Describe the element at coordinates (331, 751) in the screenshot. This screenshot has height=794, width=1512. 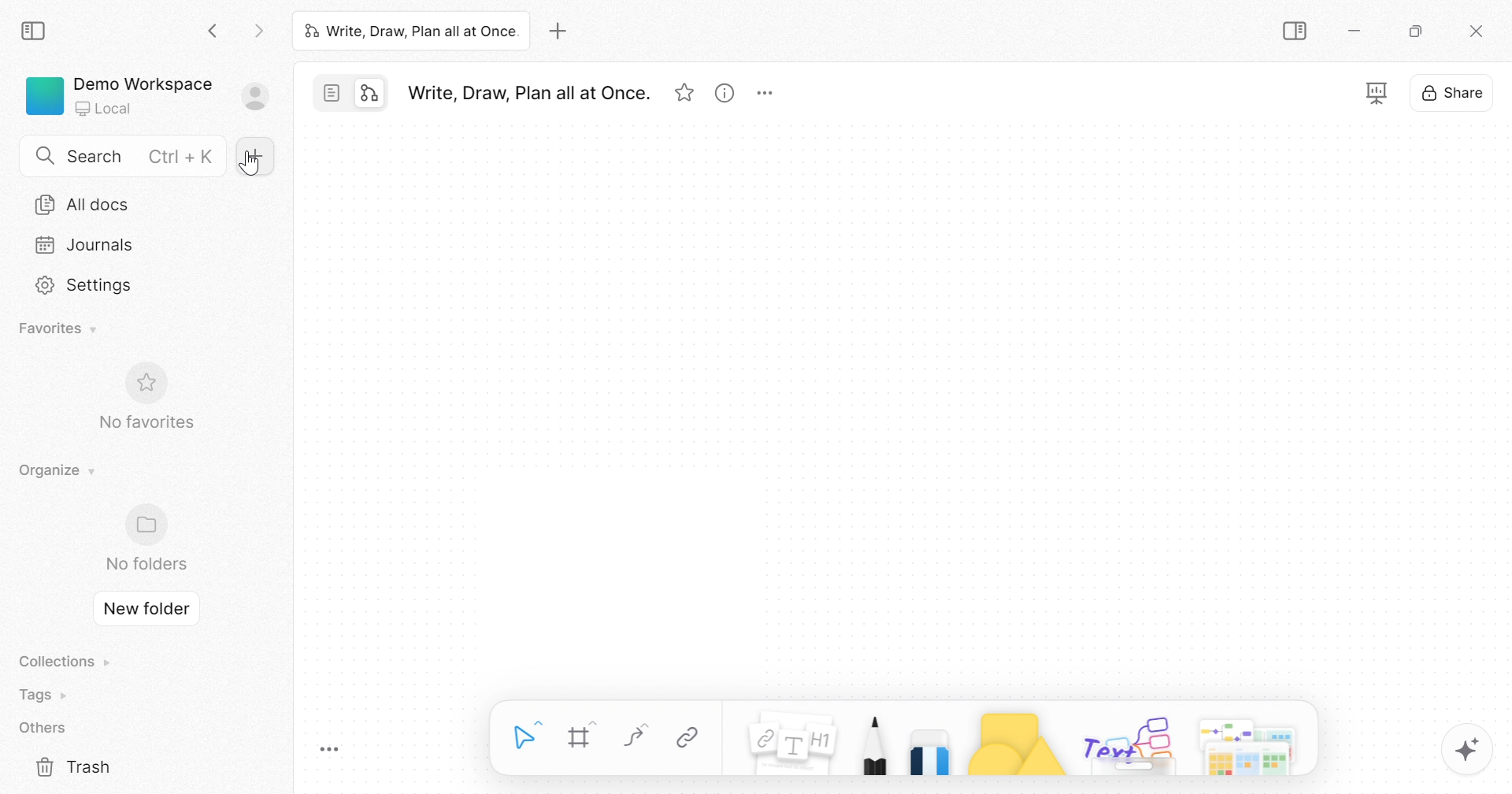
I see `Toggle Zoom Tool Bar` at that location.